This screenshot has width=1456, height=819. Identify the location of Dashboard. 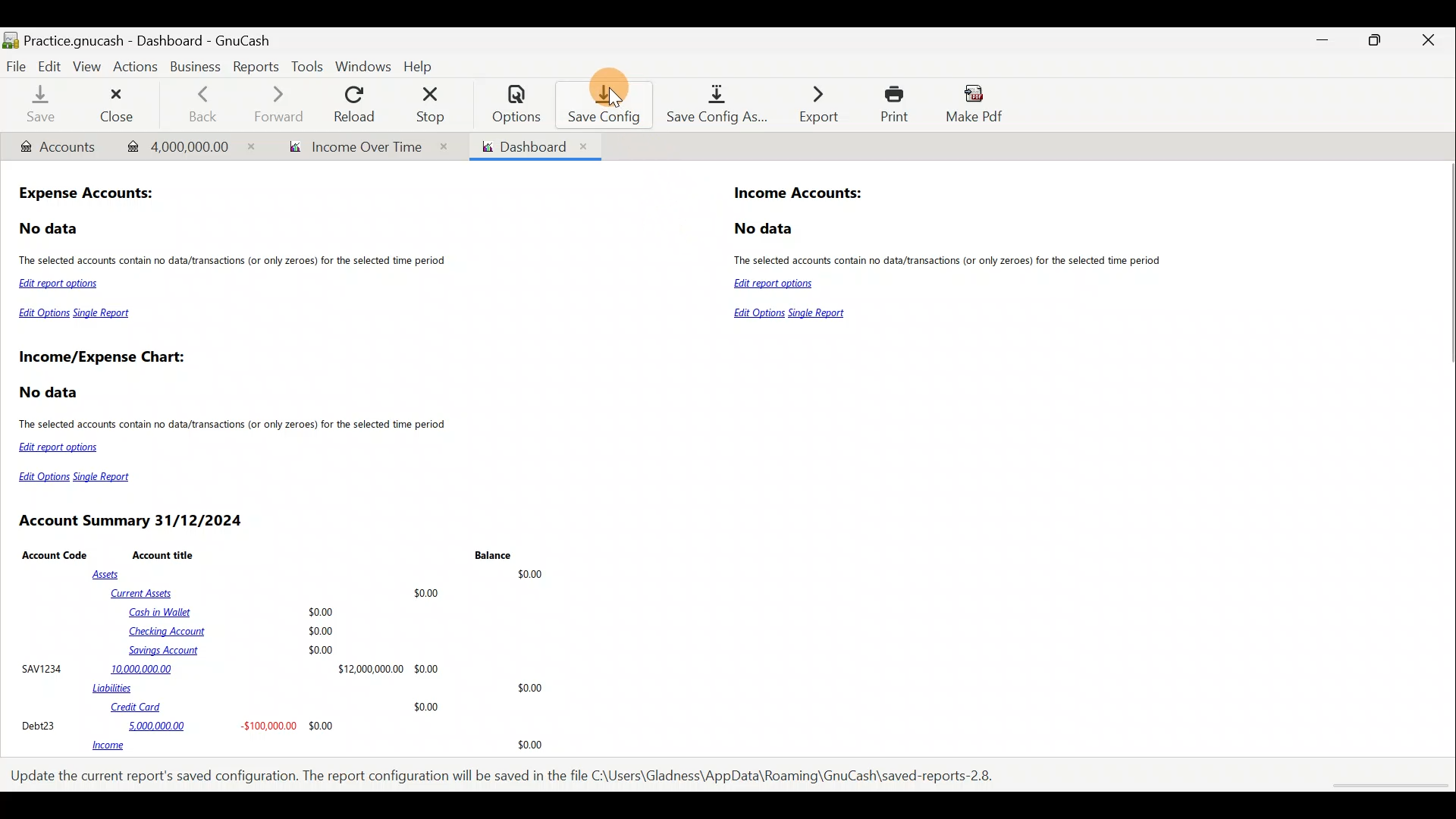
(534, 146).